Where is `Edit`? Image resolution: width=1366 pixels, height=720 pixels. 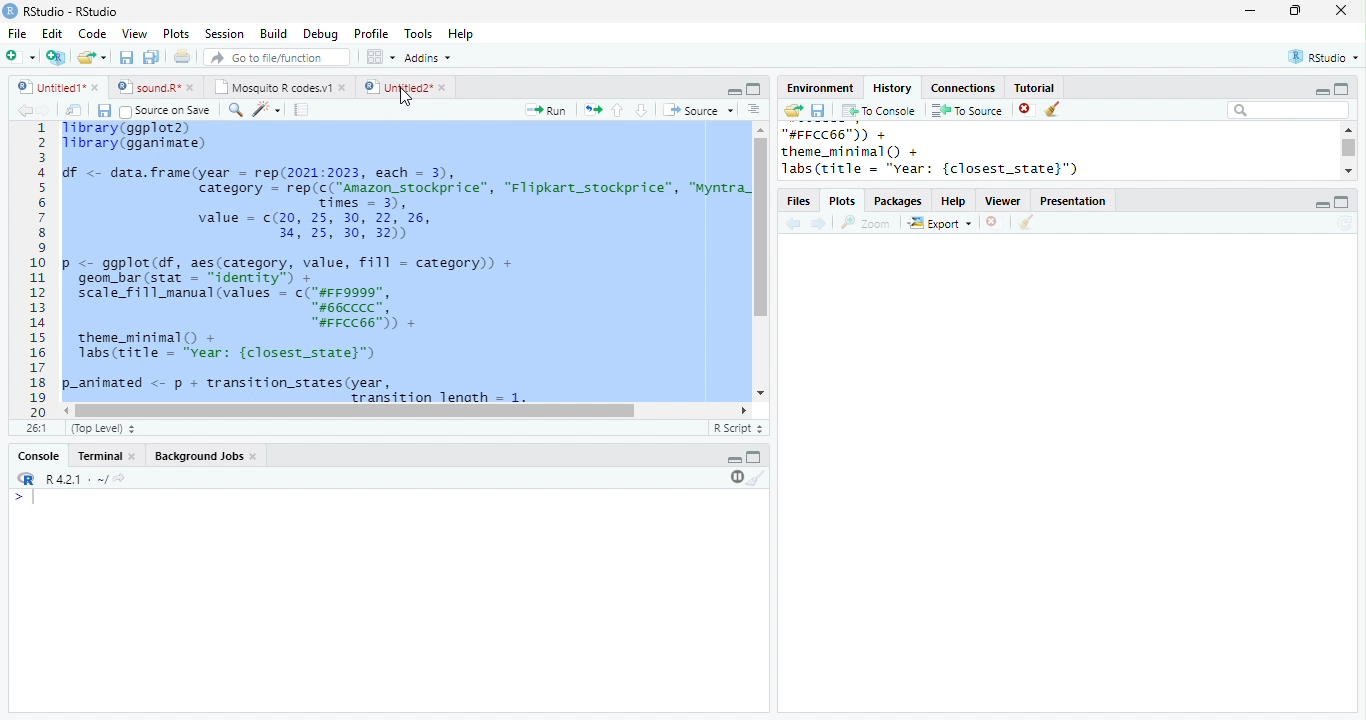 Edit is located at coordinates (52, 33).